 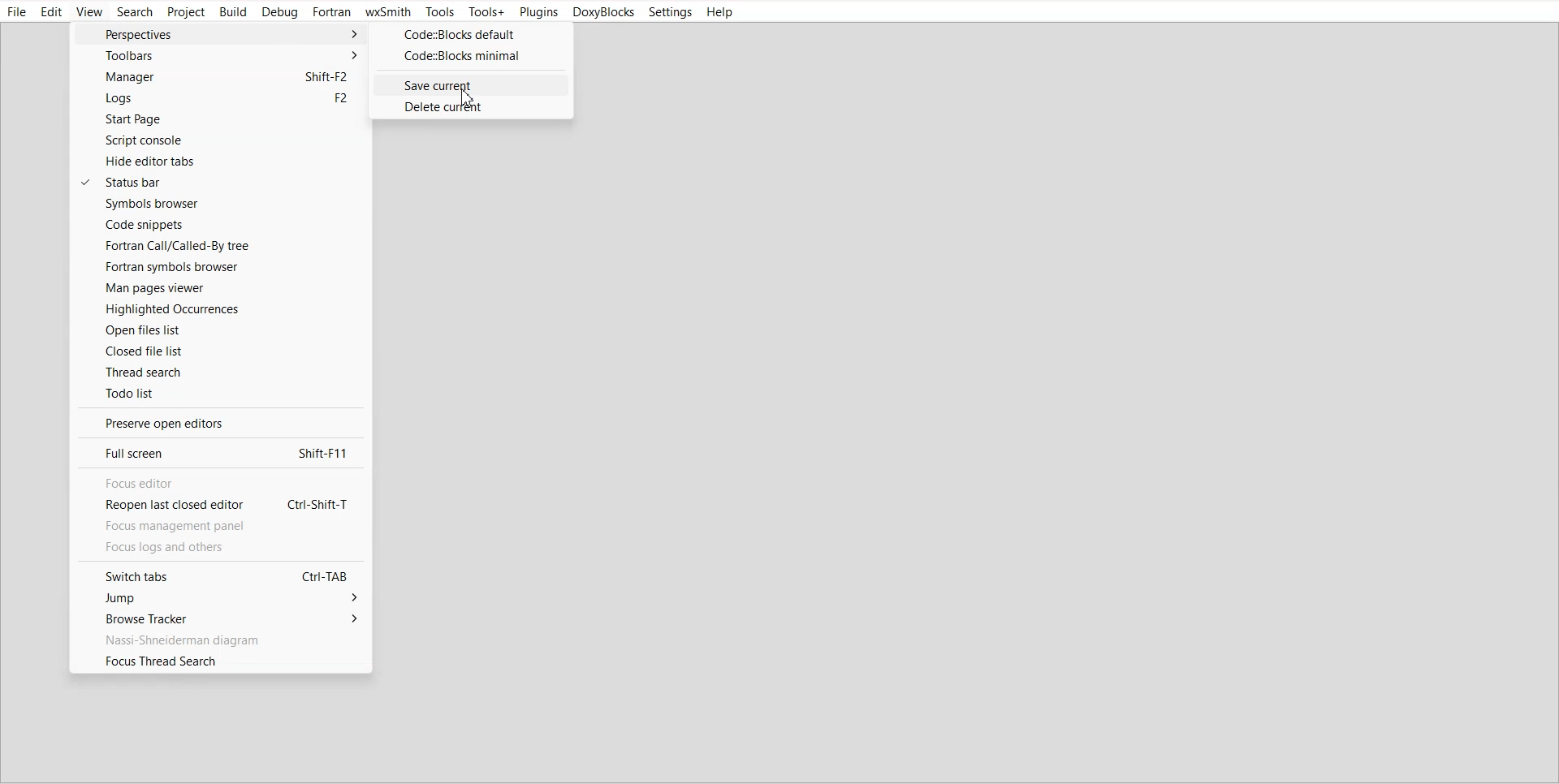 I want to click on Switch tabs, so click(x=217, y=575).